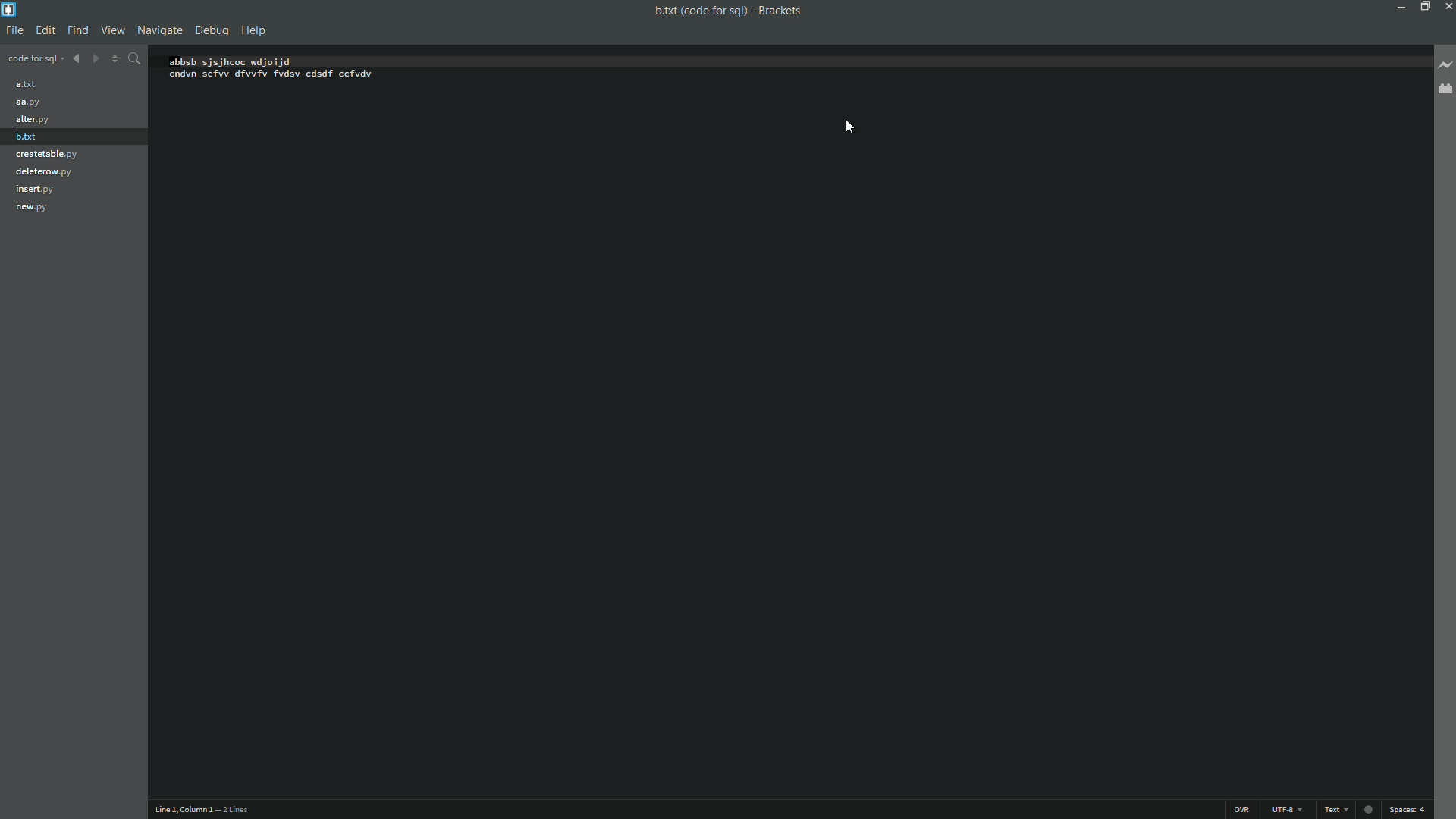 The image size is (1456, 819). What do you see at coordinates (284, 67) in the screenshot?
I see `abbsb sjsjhcoc wdjoijd
cndvn sefw dfvwfv fudsy cdsdf ccfudv` at bounding box center [284, 67].